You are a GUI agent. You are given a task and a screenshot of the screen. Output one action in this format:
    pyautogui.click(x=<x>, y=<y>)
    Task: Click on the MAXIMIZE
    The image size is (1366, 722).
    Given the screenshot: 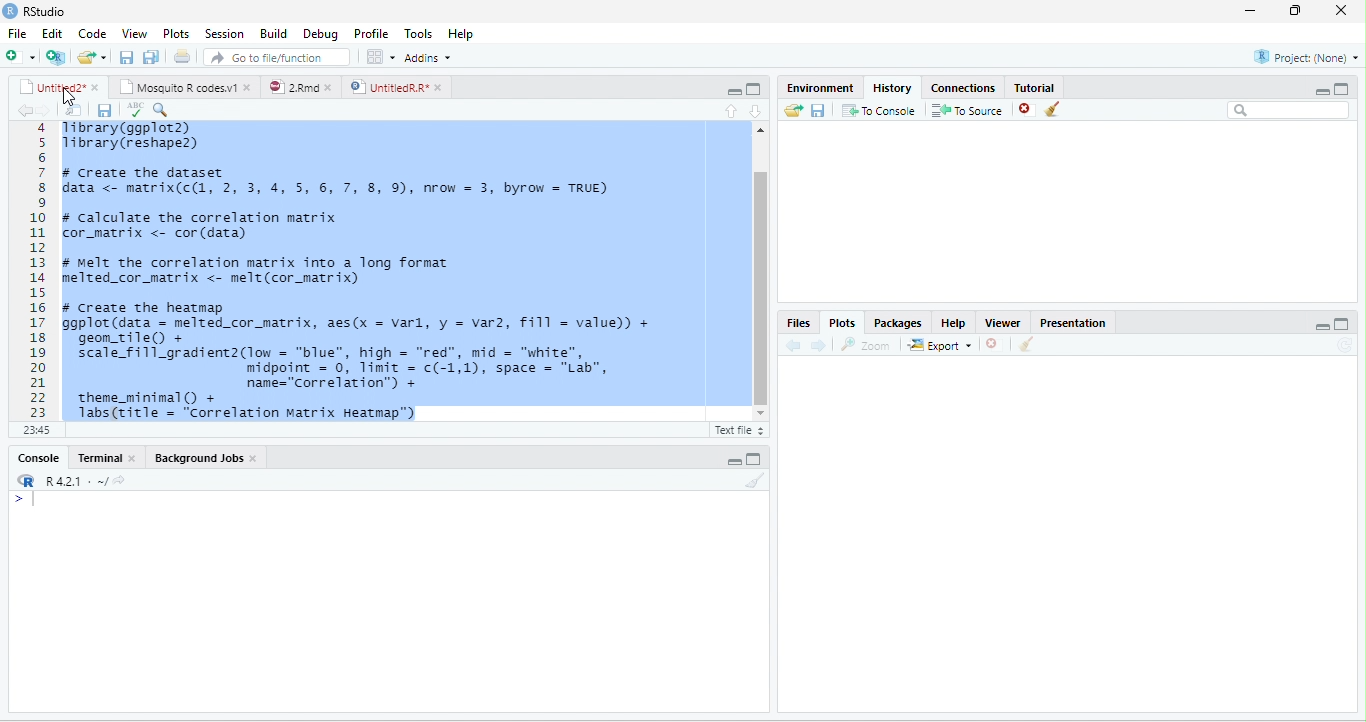 What is the action you would take?
    pyautogui.click(x=1349, y=326)
    